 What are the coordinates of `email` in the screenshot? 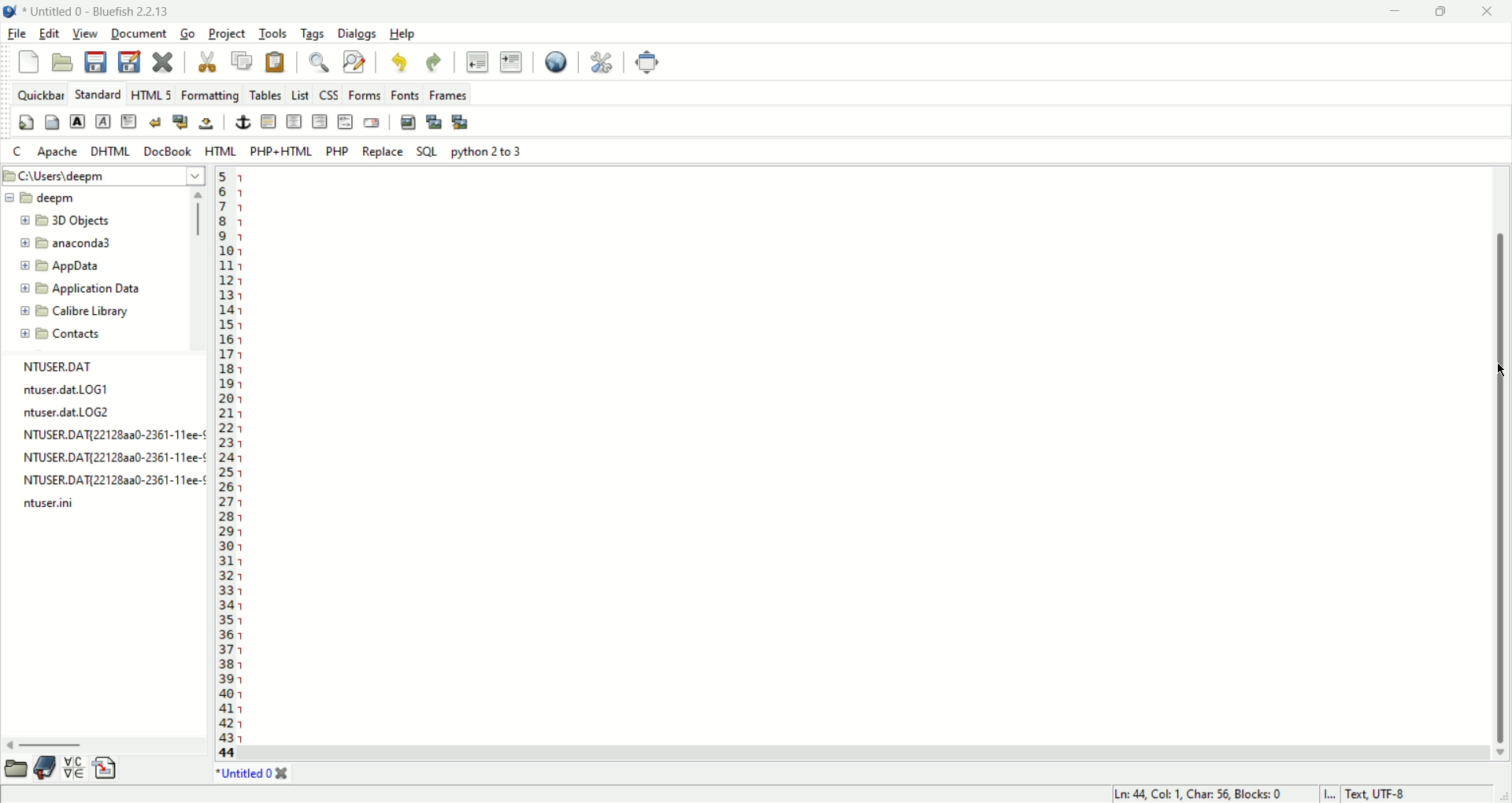 It's located at (372, 122).